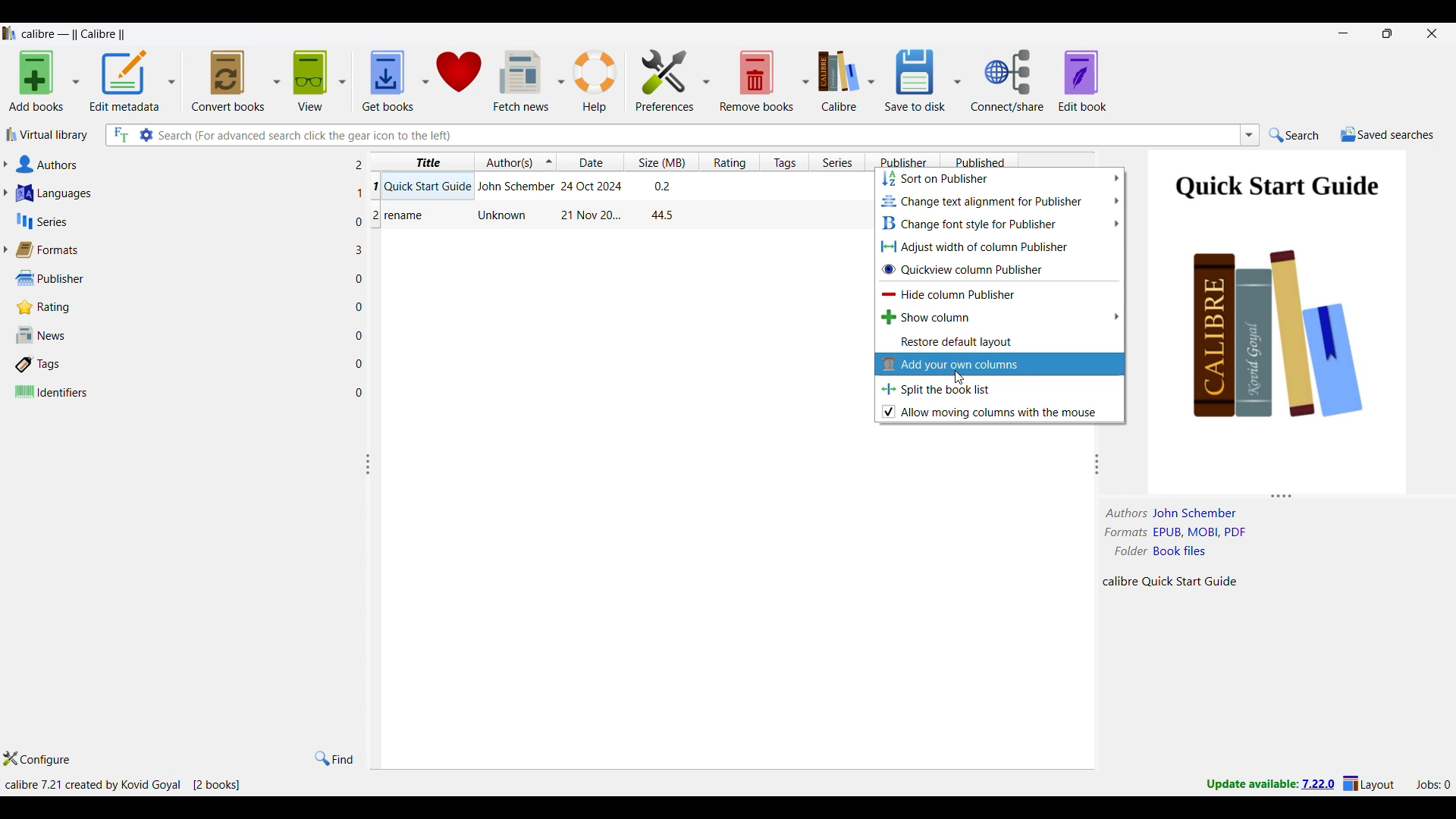 Image resolution: width=1456 pixels, height=819 pixels. What do you see at coordinates (368, 220) in the screenshot?
I see `0 2` at bounding box center [368, 220].